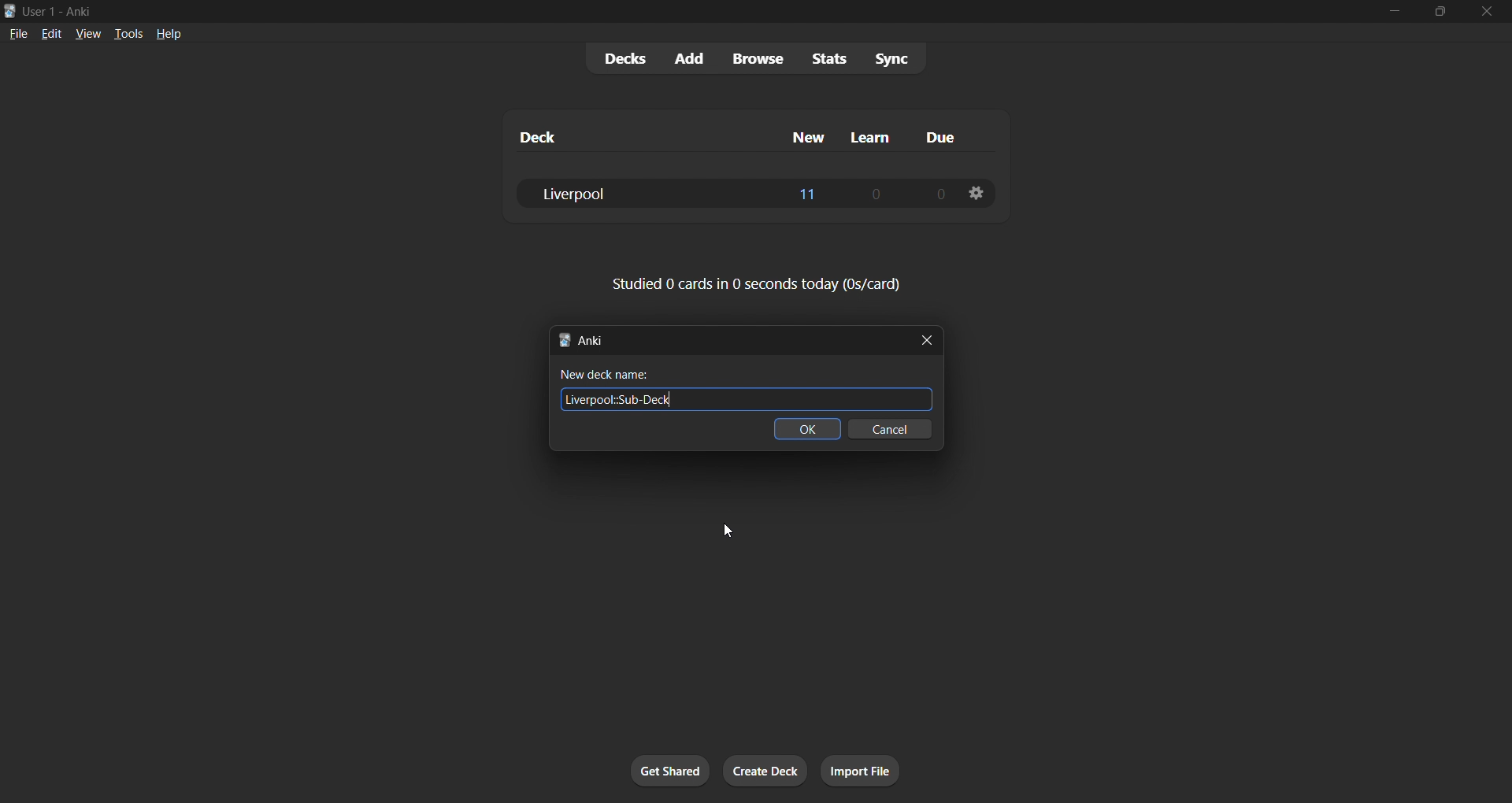  Describe the element at coordinates (750, 398) in the screenshot. I see `Liverpool Sub-Deck` at that location.